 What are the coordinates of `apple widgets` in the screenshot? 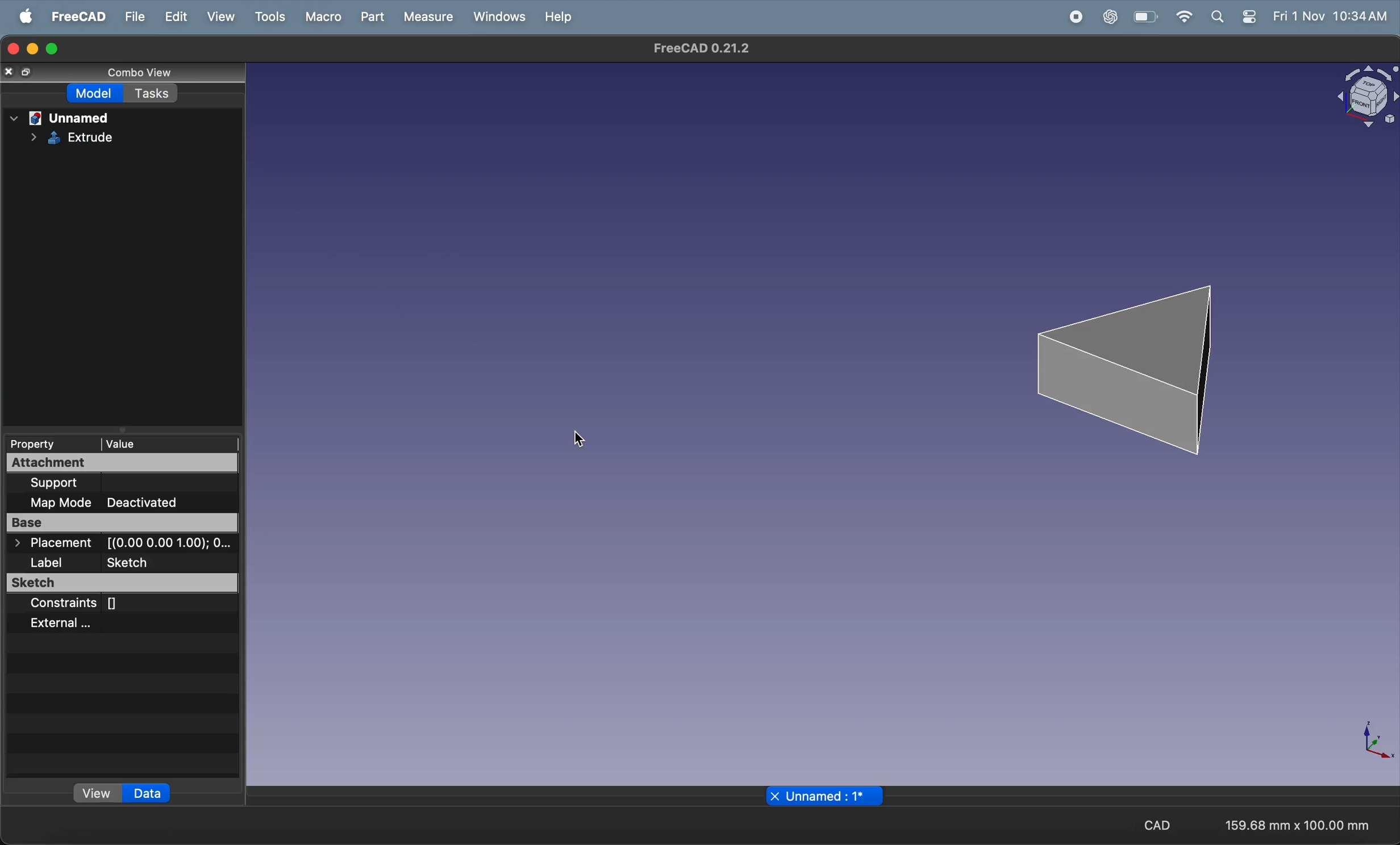 It's located at (1234, 17).